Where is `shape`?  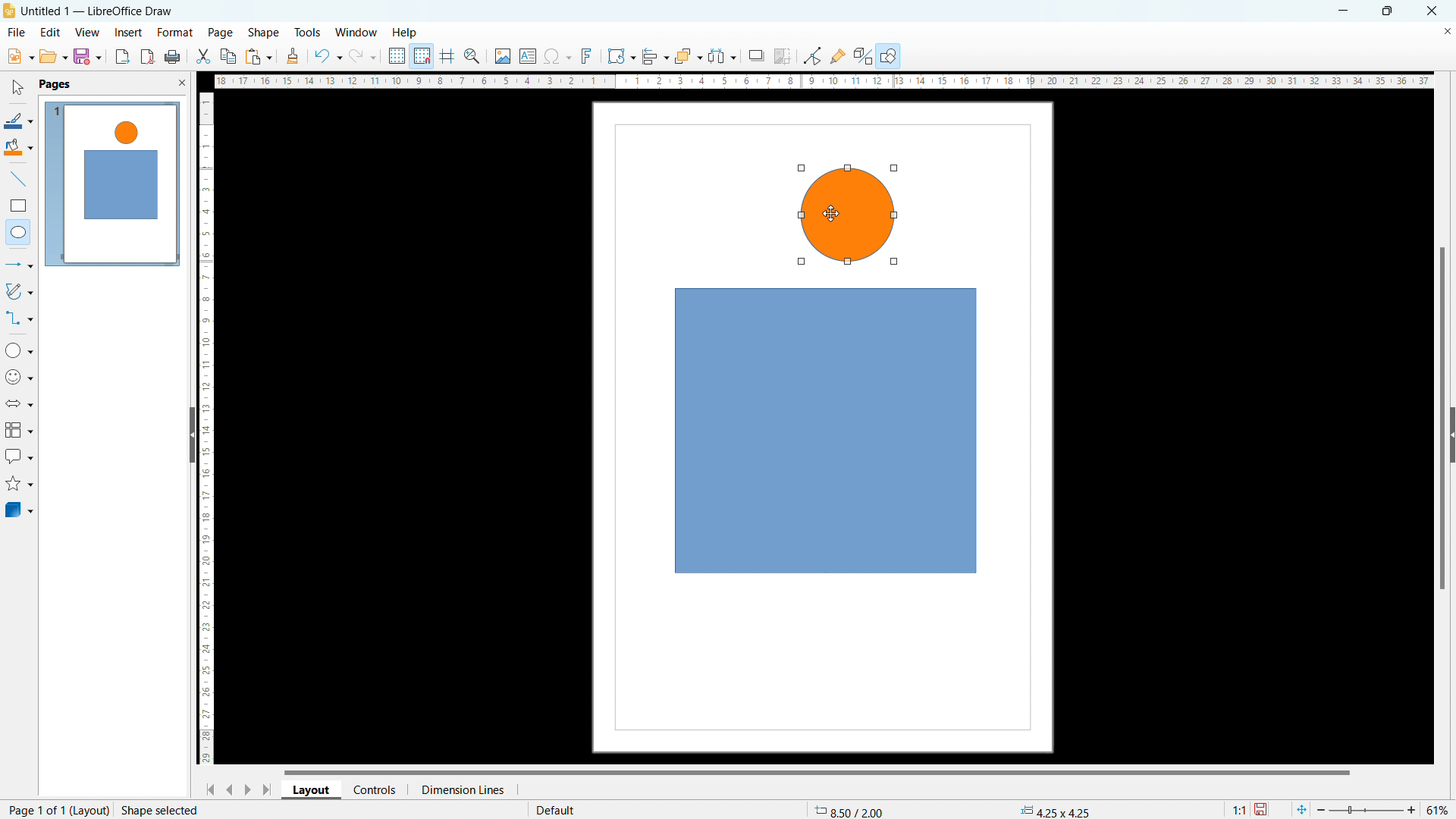 shape is located at coordinates (264, 33).